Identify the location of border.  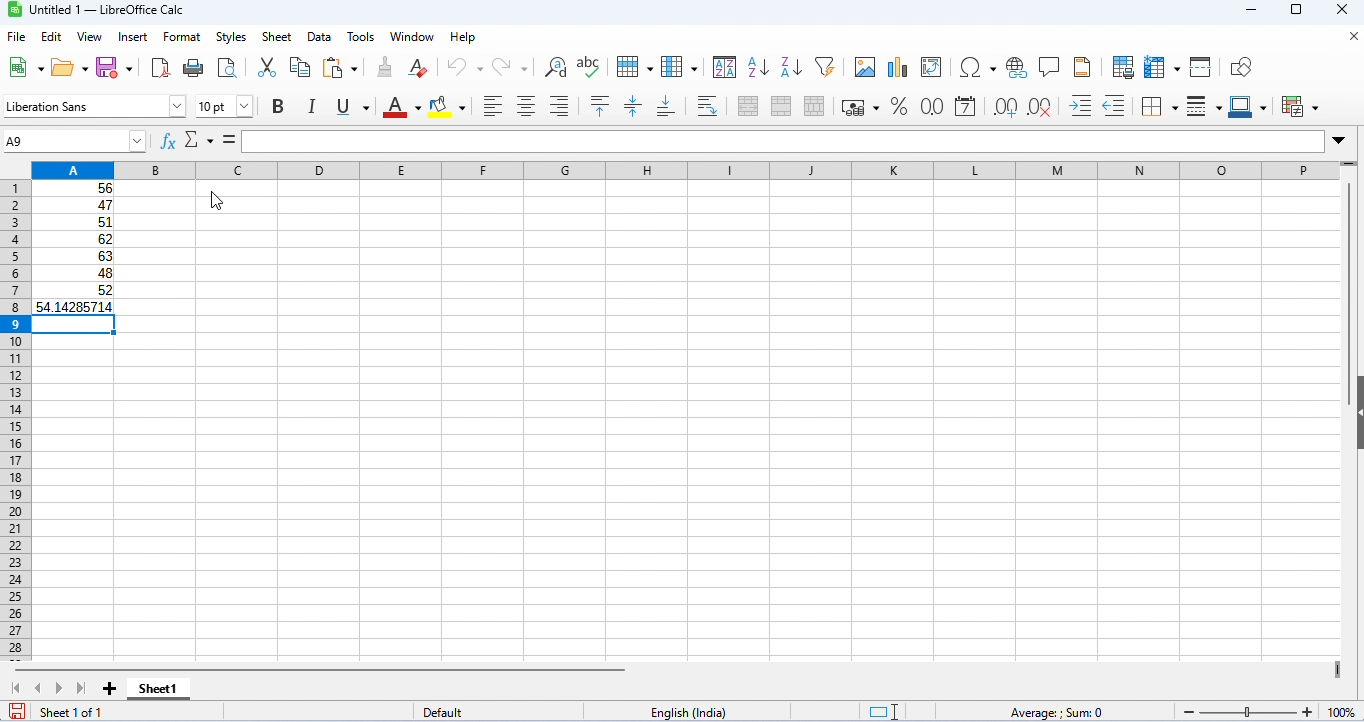
(1159, 106).